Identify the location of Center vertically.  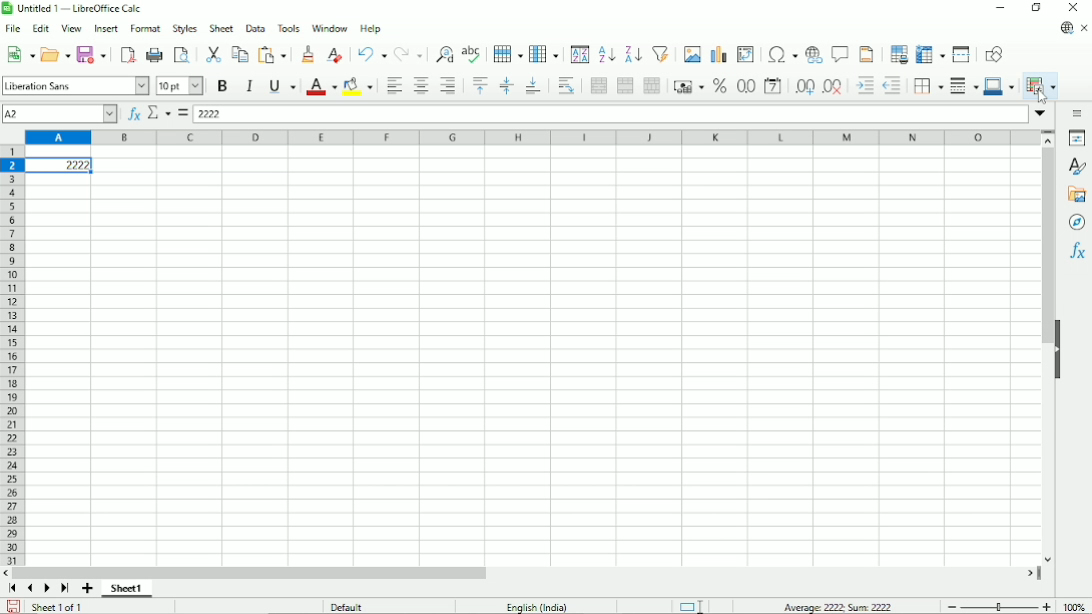
(505, 86).